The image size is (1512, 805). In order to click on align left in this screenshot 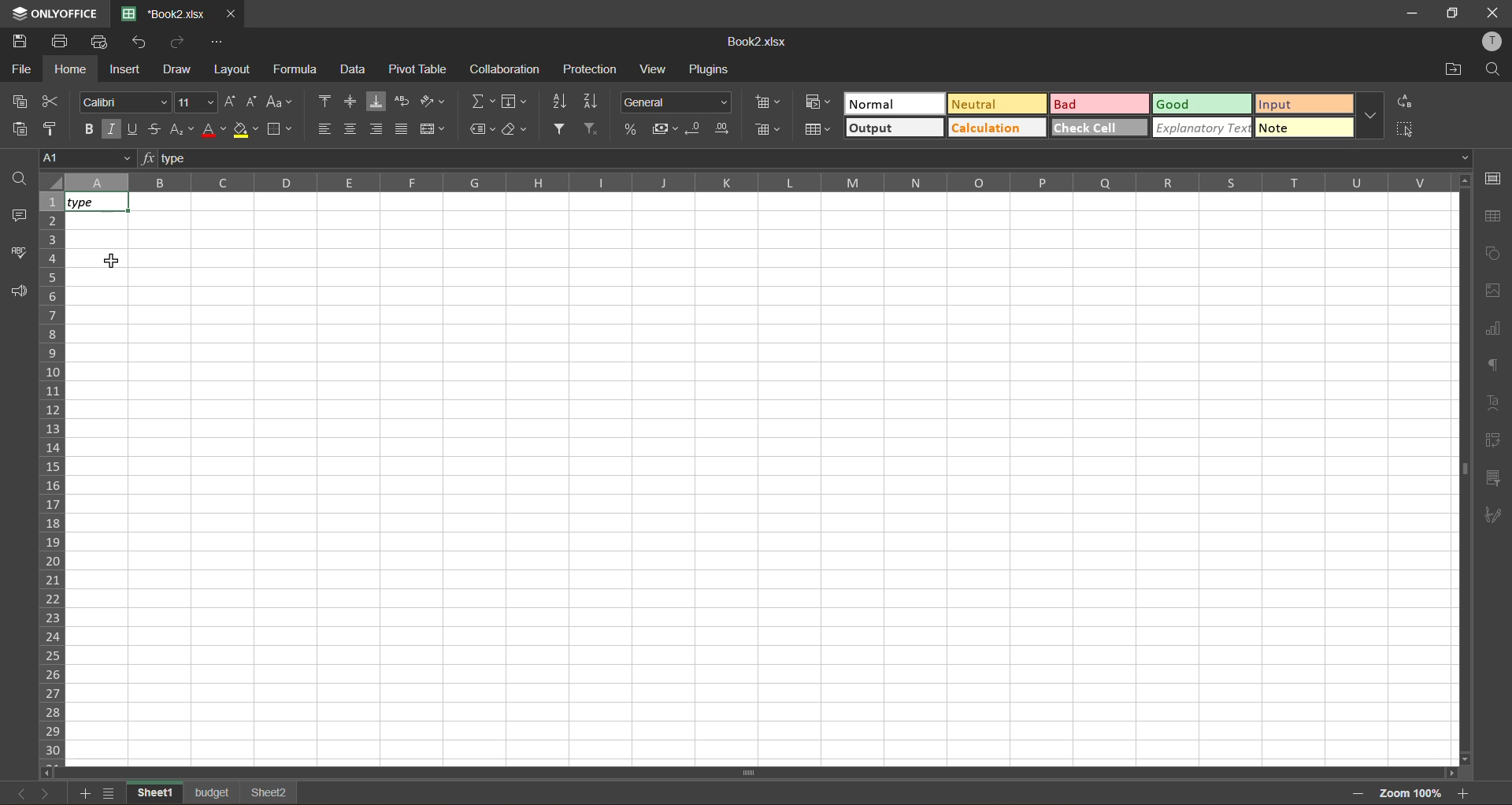, I will do `click(324, 128)`.